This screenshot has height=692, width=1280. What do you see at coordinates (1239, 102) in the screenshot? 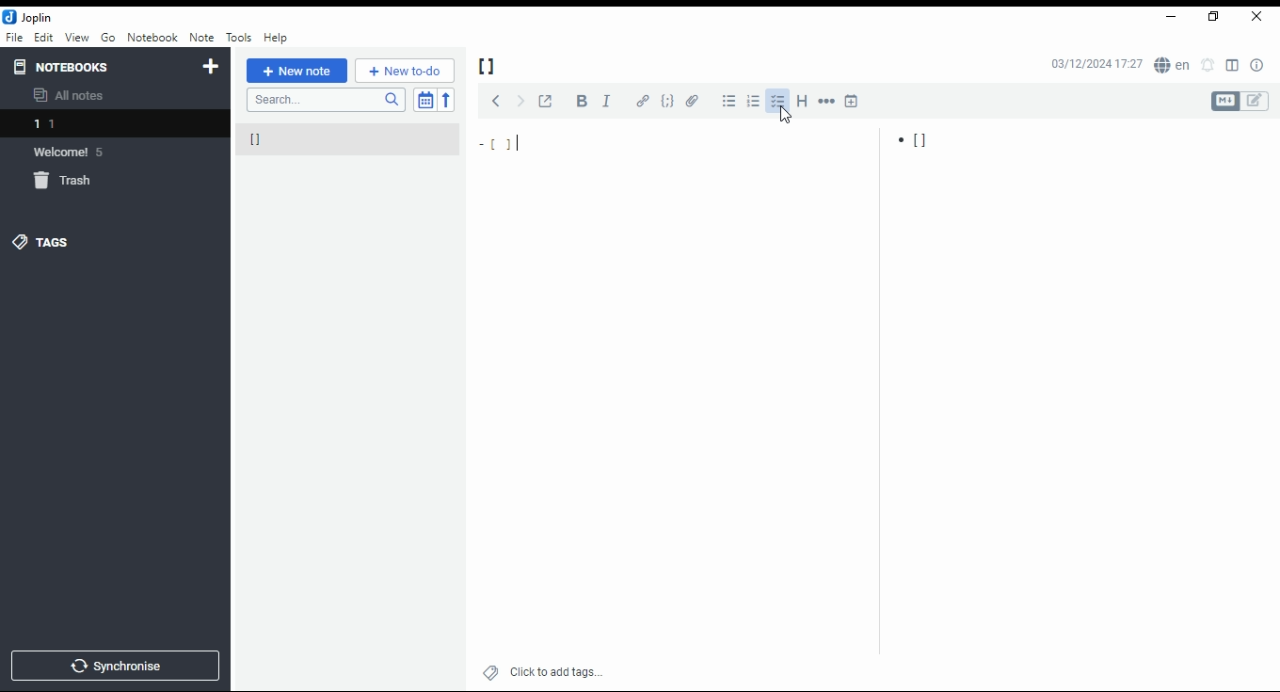
I see `toggle editors` at bounding box center [1239, 102].